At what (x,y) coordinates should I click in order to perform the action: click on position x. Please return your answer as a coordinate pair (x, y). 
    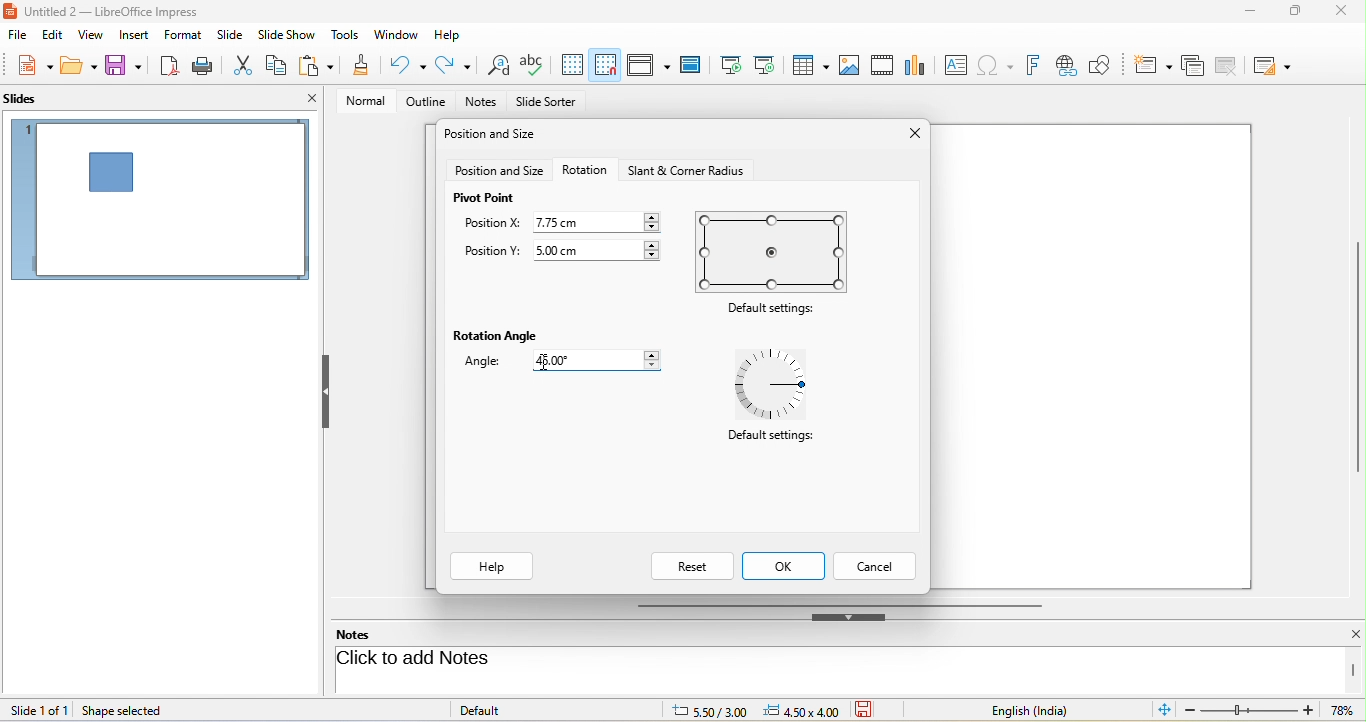
    Looking at the image, I should click on (492, 225).